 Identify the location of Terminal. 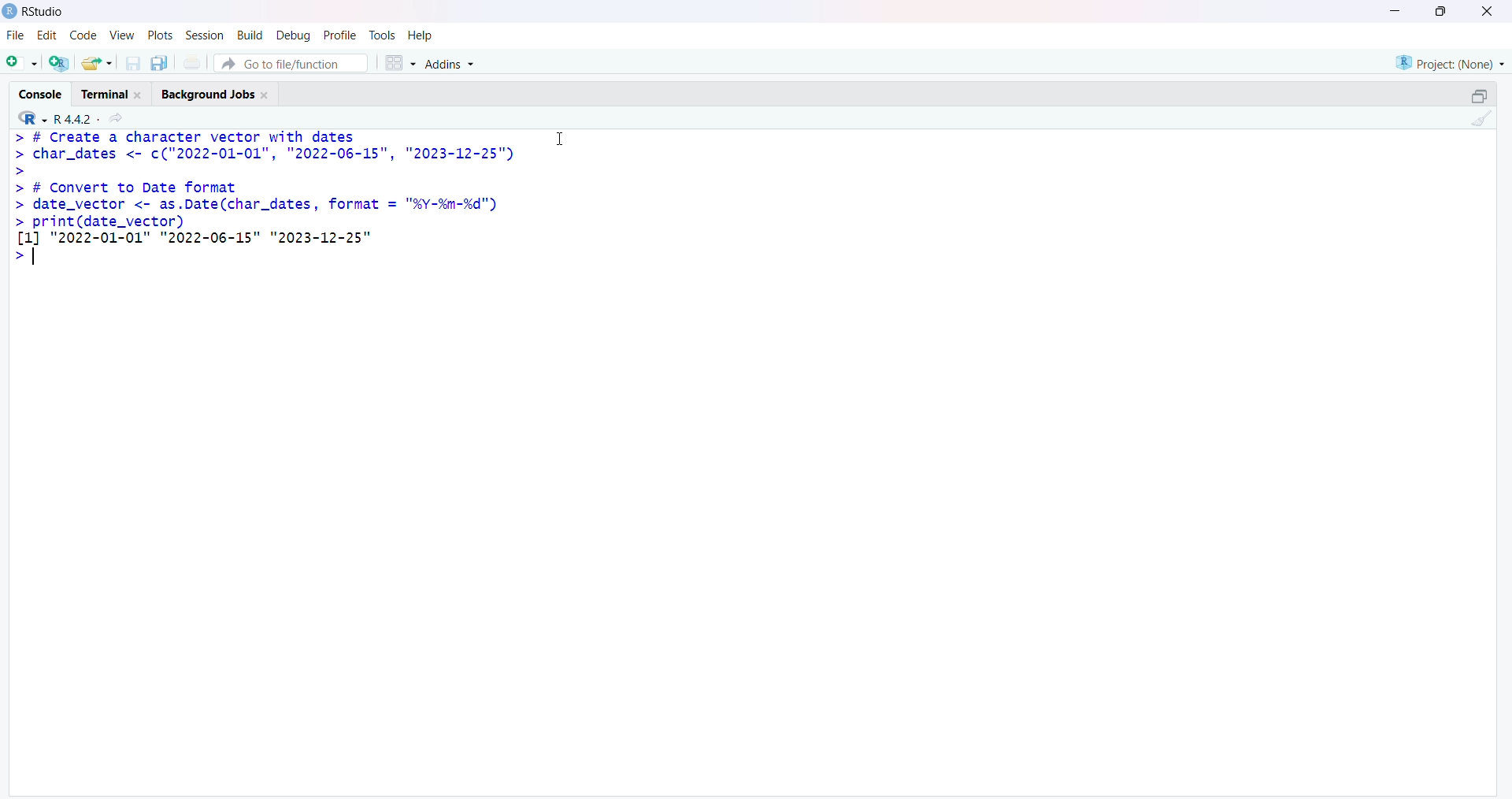
(113, 91).